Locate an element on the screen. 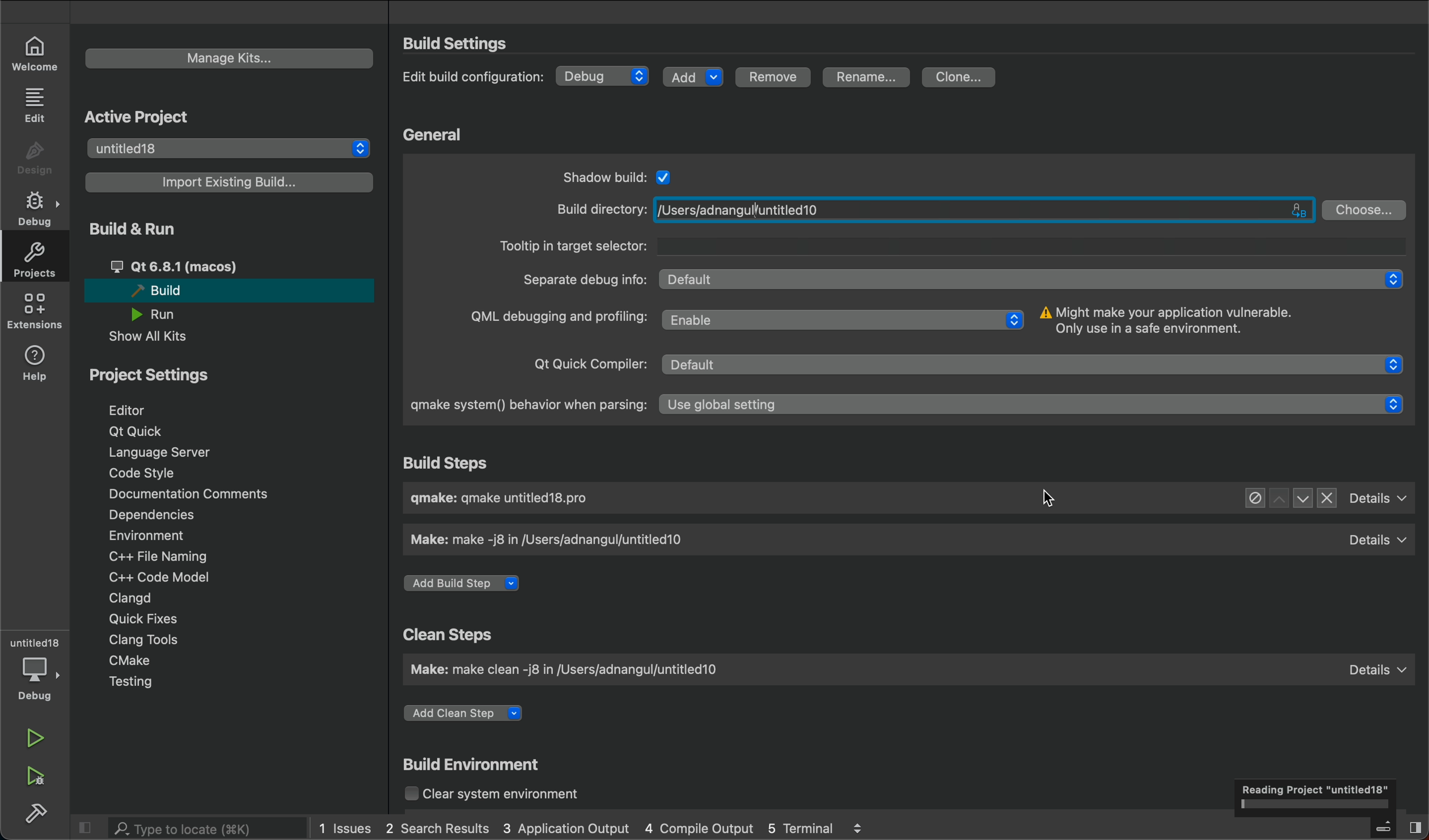  2 Search Results is located at coordinates (436, 826).